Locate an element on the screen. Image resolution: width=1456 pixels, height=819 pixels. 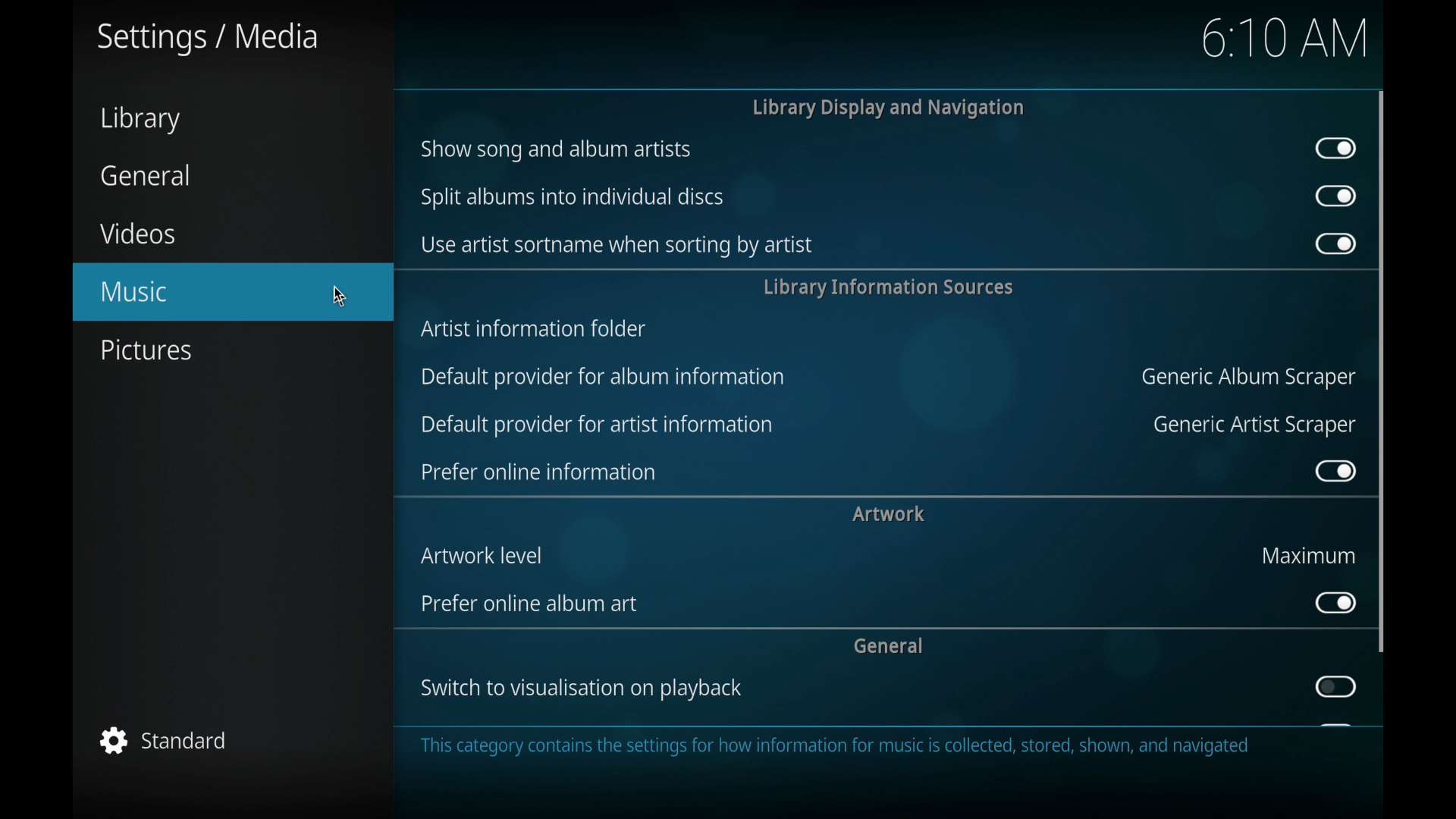
time is located at coordinates (1285, 37).